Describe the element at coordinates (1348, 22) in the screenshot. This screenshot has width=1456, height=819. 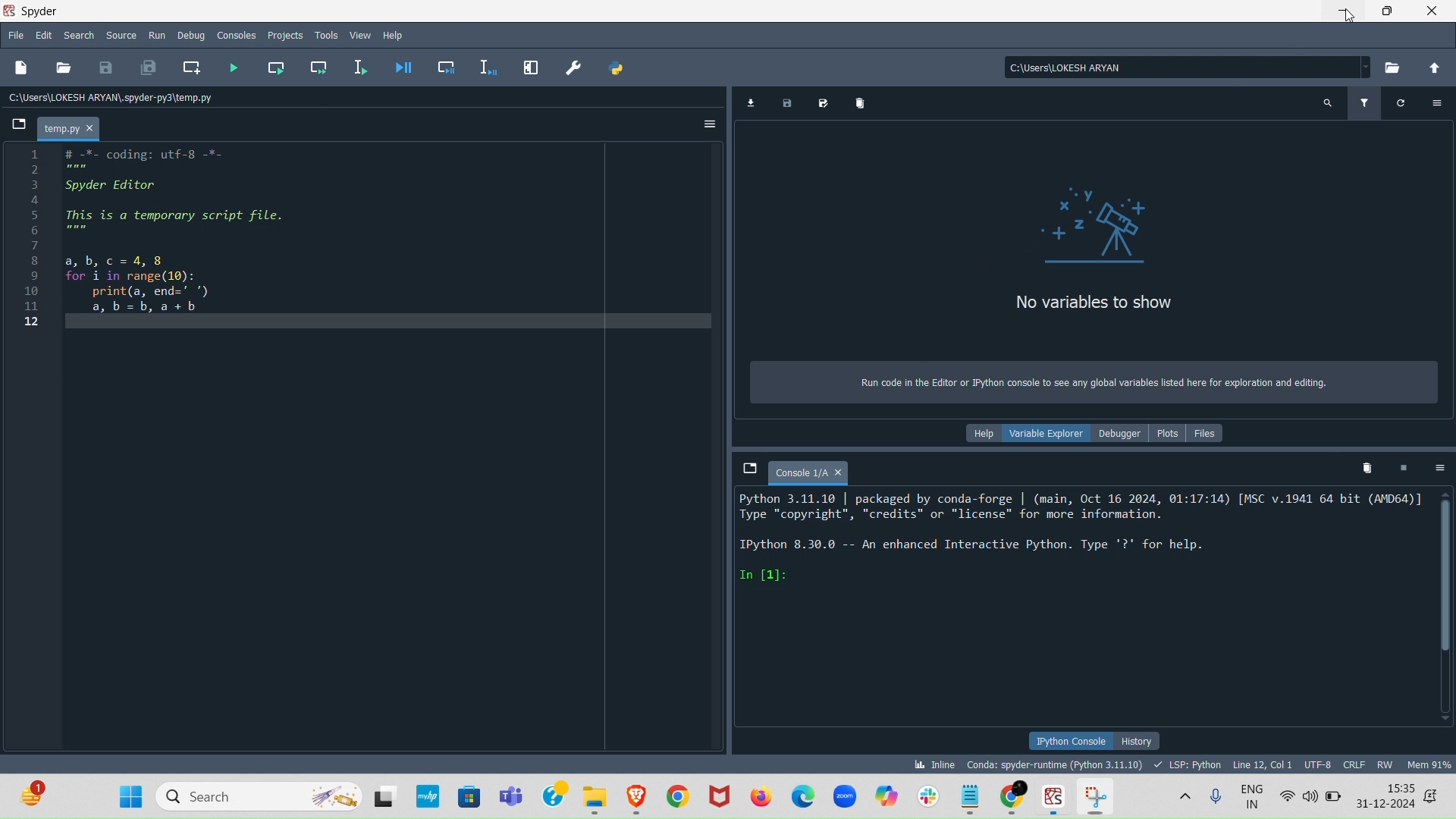
I see `Cursor` at that location.